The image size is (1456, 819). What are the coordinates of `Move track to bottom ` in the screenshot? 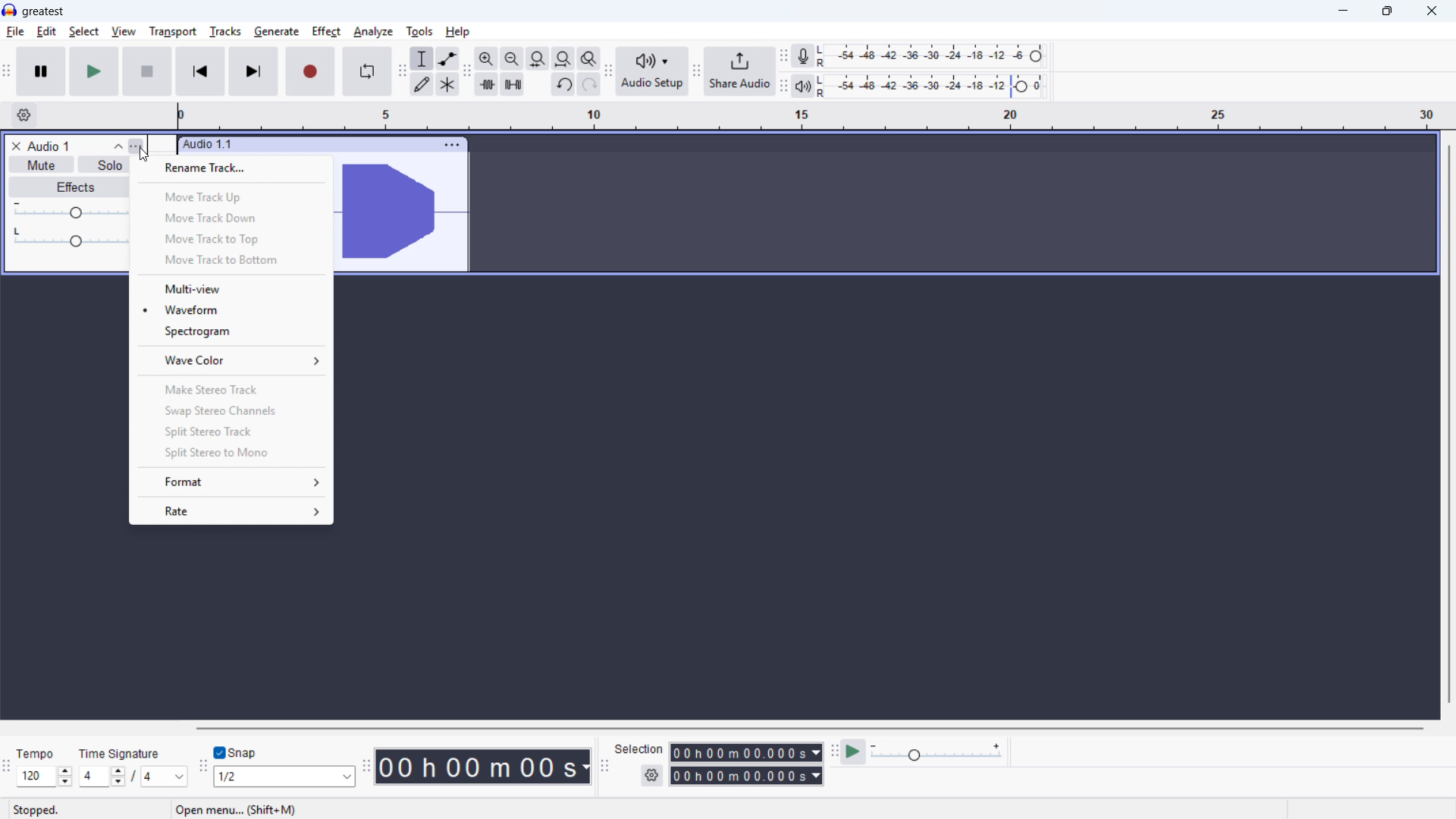 It's located at (234, 260).